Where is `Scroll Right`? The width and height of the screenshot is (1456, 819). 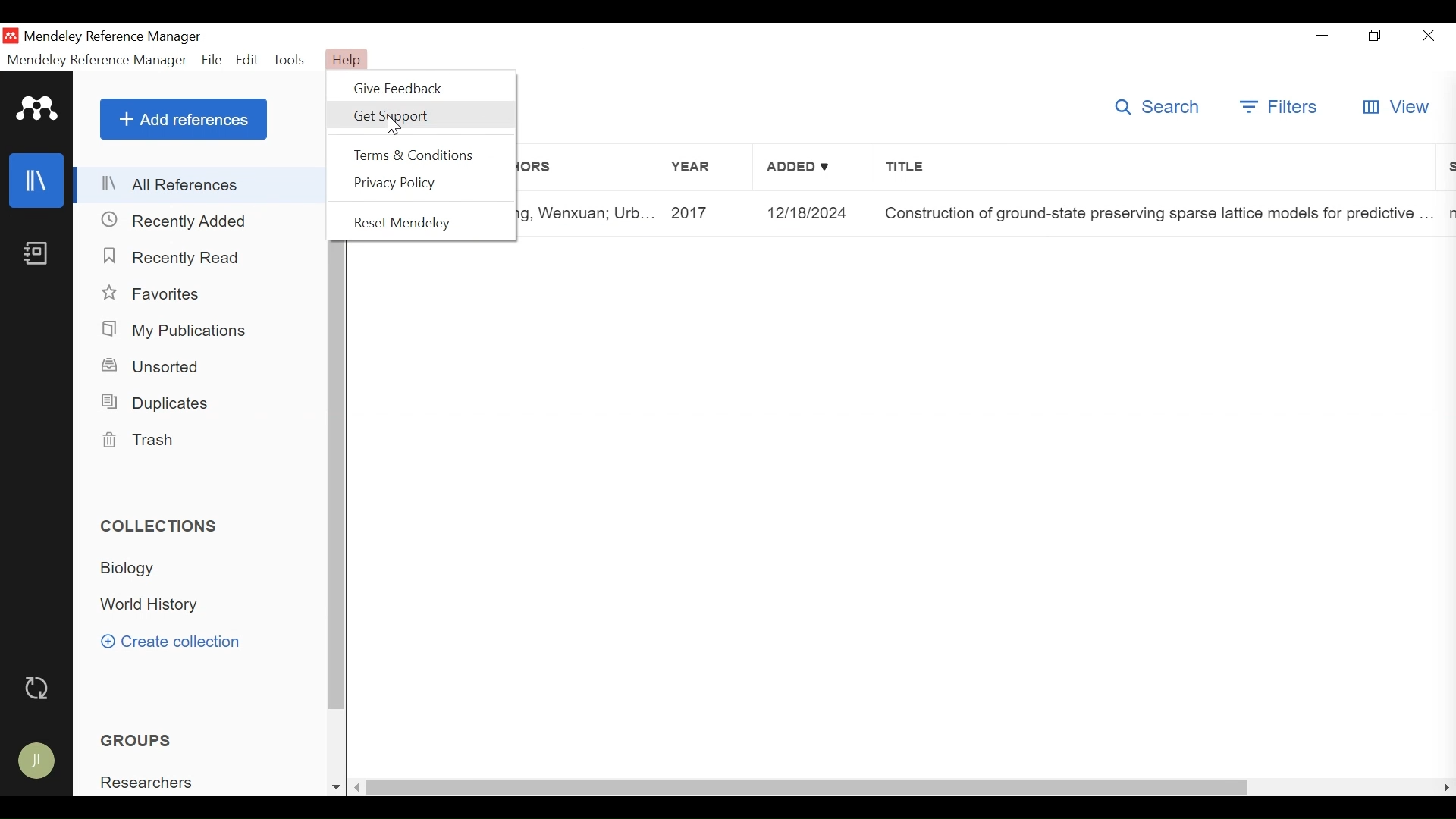 Scroll Right is located at coordinates (1445, 787).